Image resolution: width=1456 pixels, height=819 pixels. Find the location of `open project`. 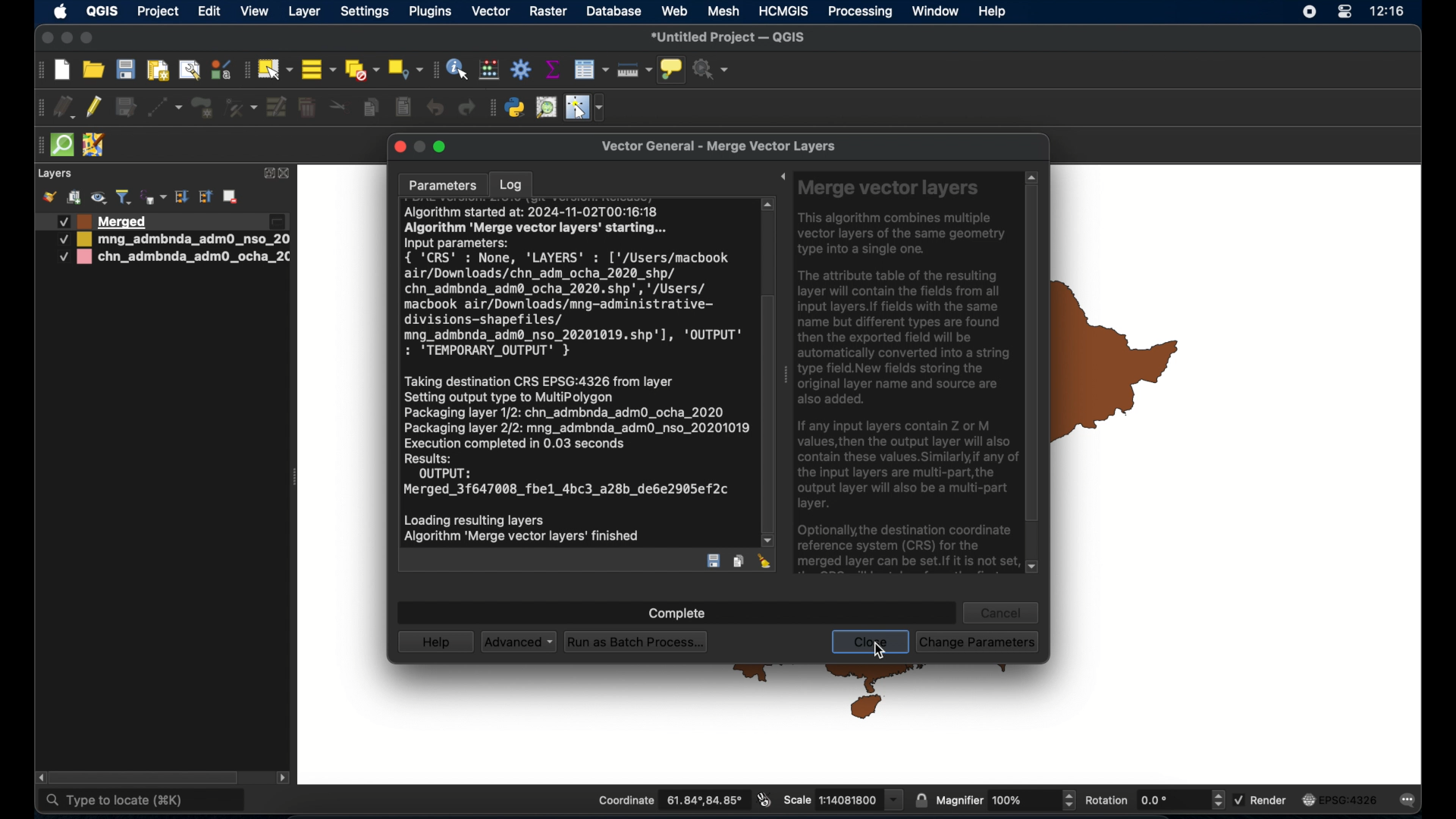

open project is located at coordinates (95, 71).